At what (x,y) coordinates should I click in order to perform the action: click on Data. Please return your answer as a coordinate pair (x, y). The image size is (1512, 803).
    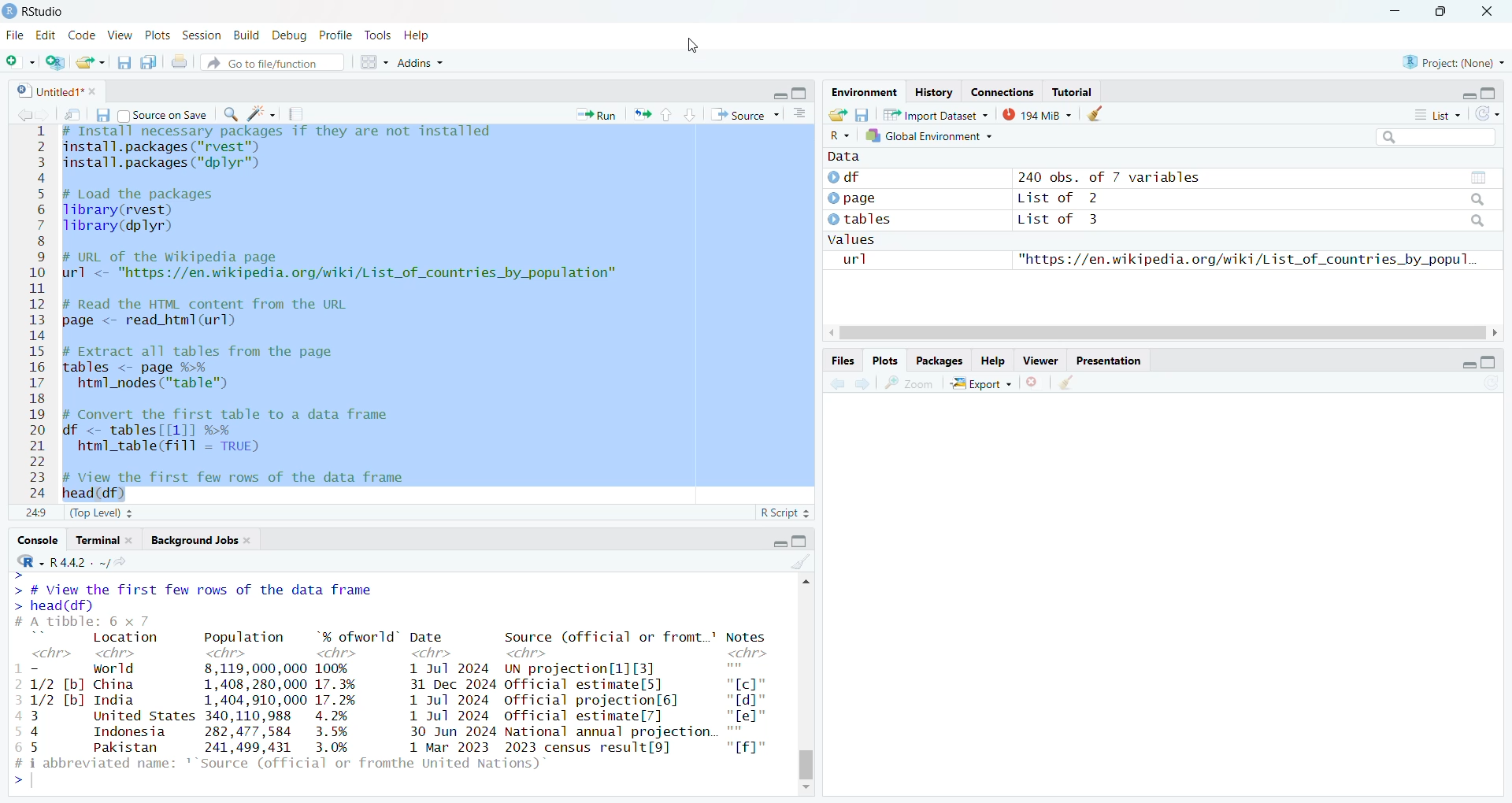
    Looking at the image, I should click on (843, 156).